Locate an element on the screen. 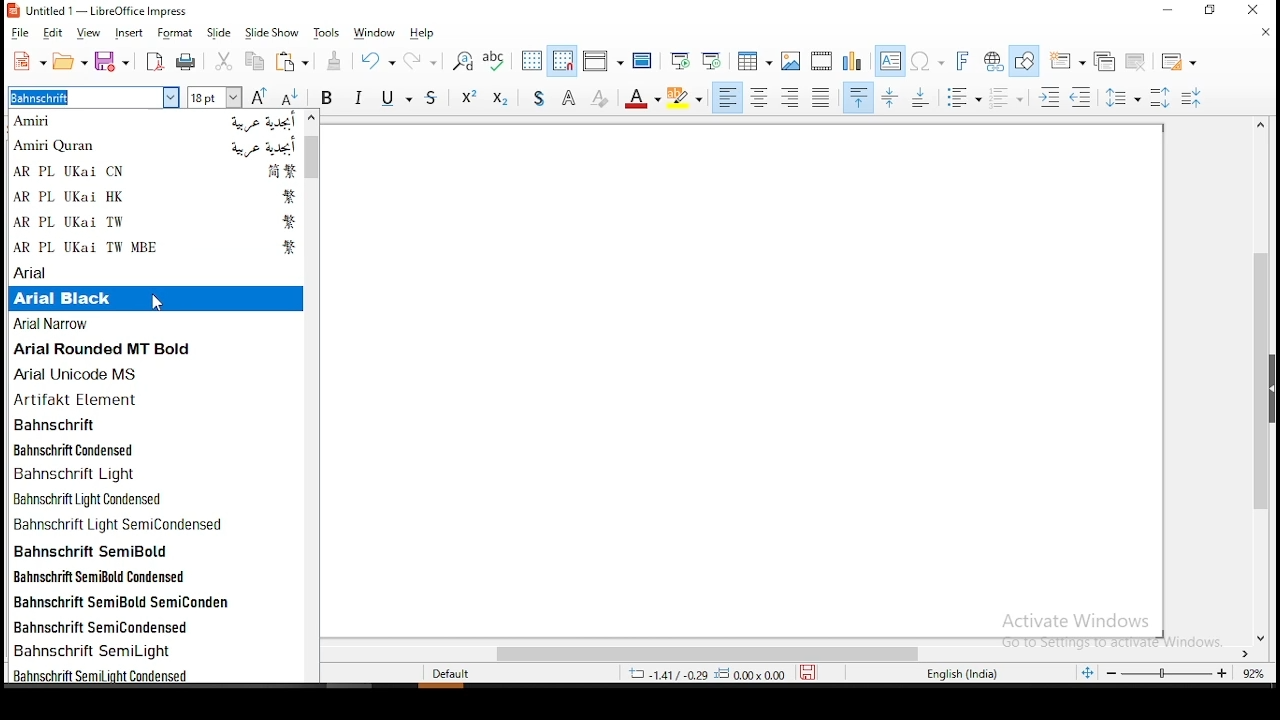 The width and height of the screenshot is (1280, 720). bahnschrift condensed is located at coordinates (159, 448).